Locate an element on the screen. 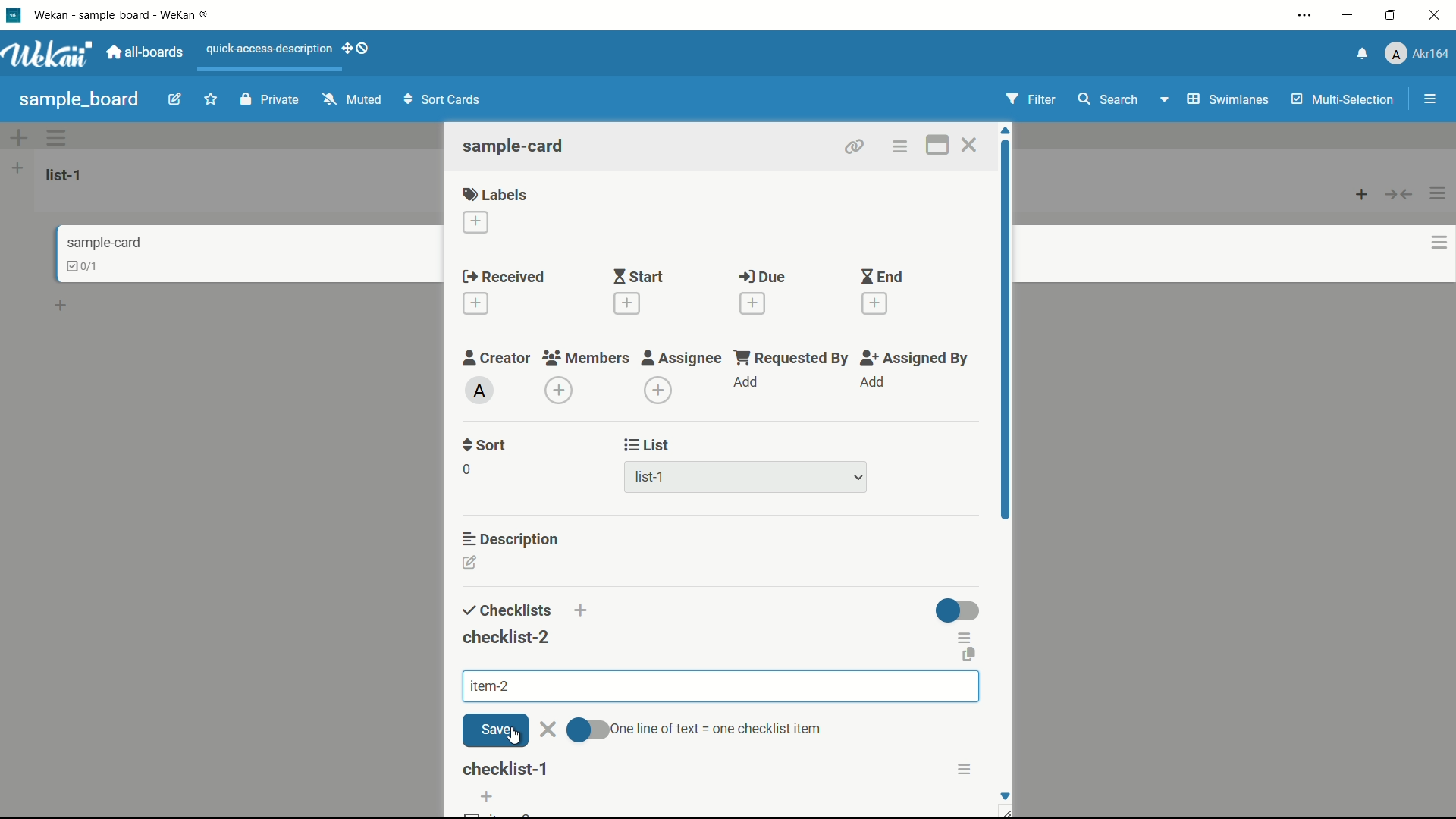 The image size is (1456, 819). add date is located at coordinates (475, 304).